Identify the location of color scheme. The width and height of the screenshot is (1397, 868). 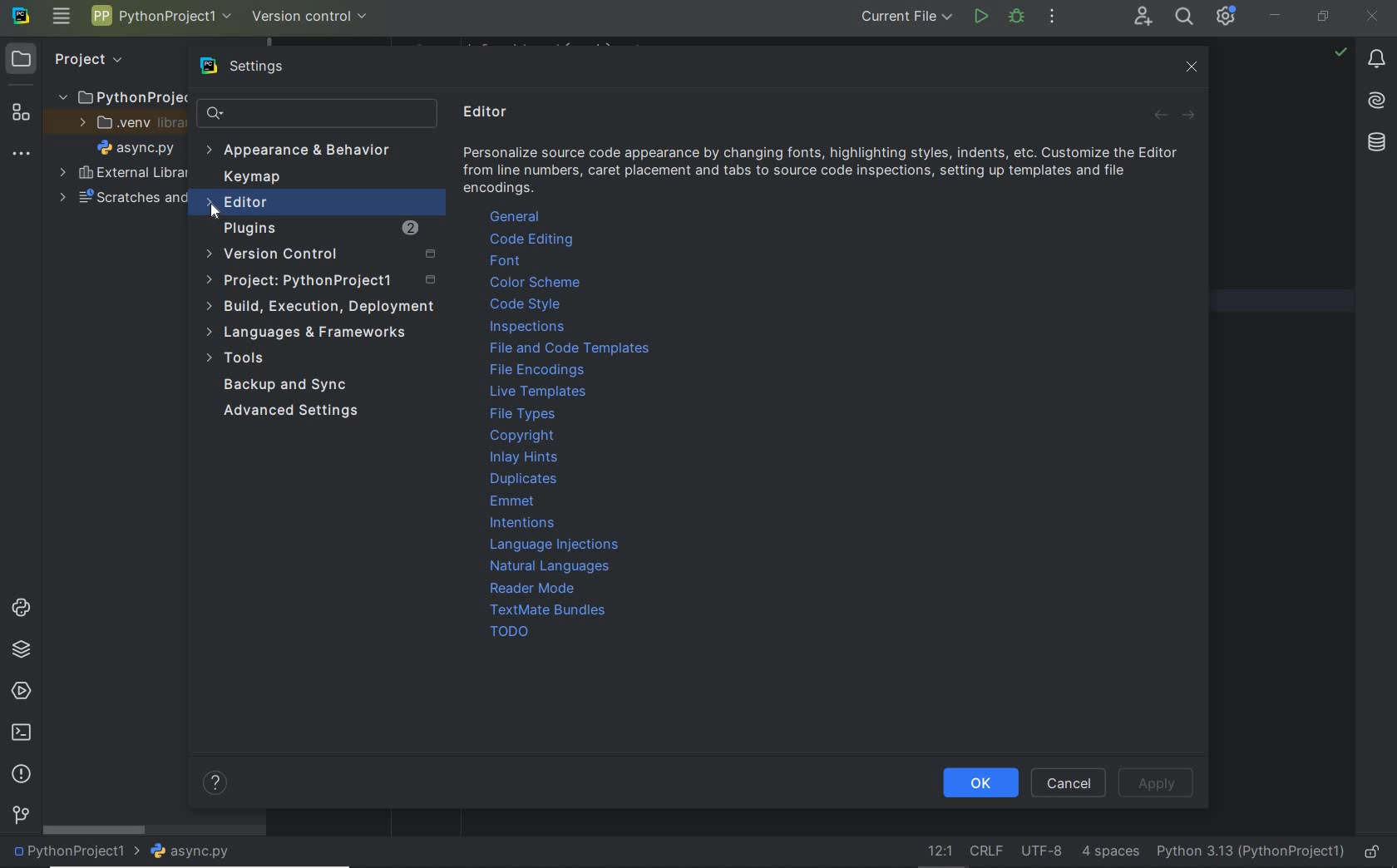
(538, 283).